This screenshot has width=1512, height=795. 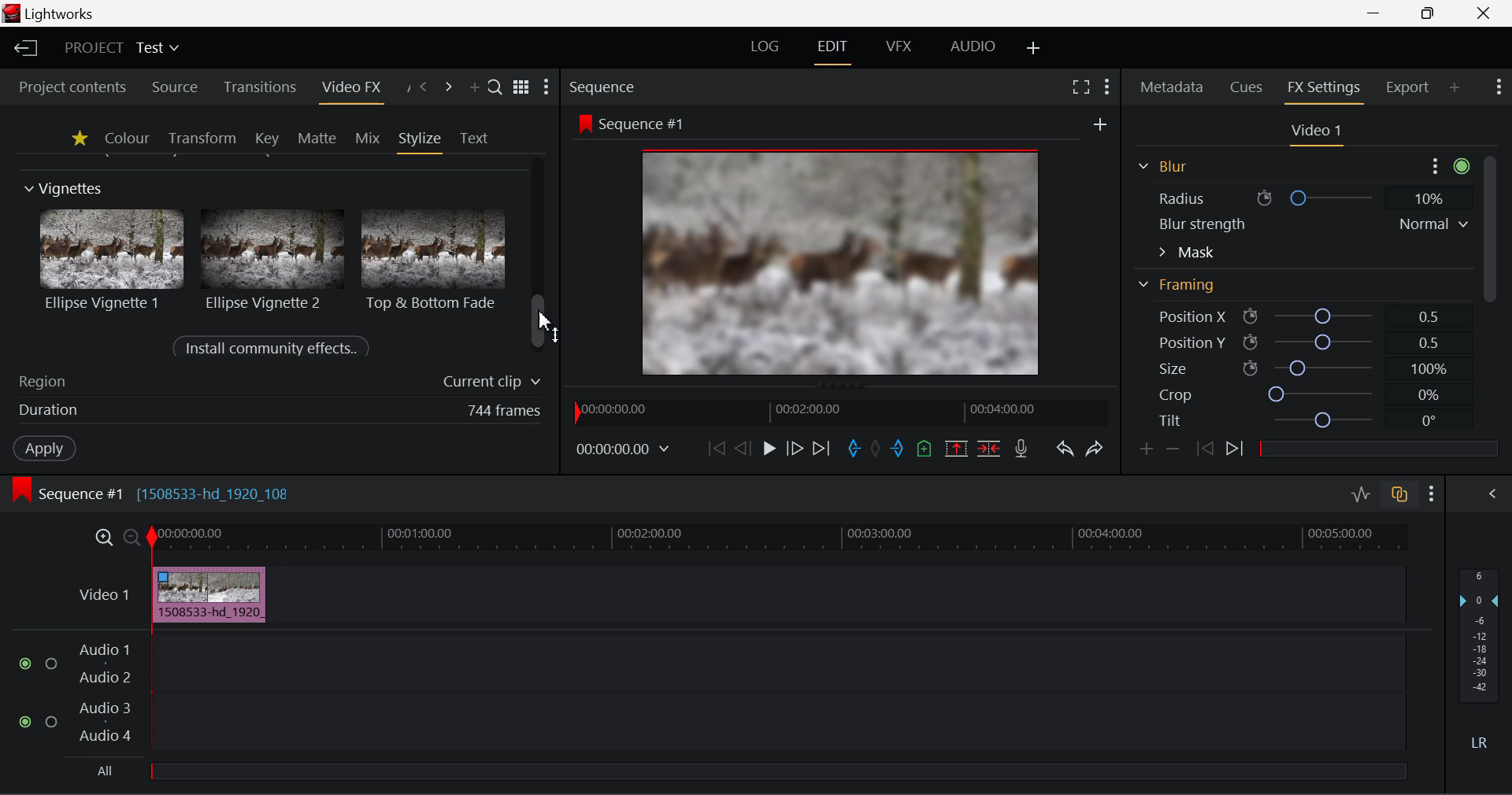 What do you see at coordinates (1398, 492) in the screenshot?
I see `Toggle auto track sync` at bounding box center [1398, 492].